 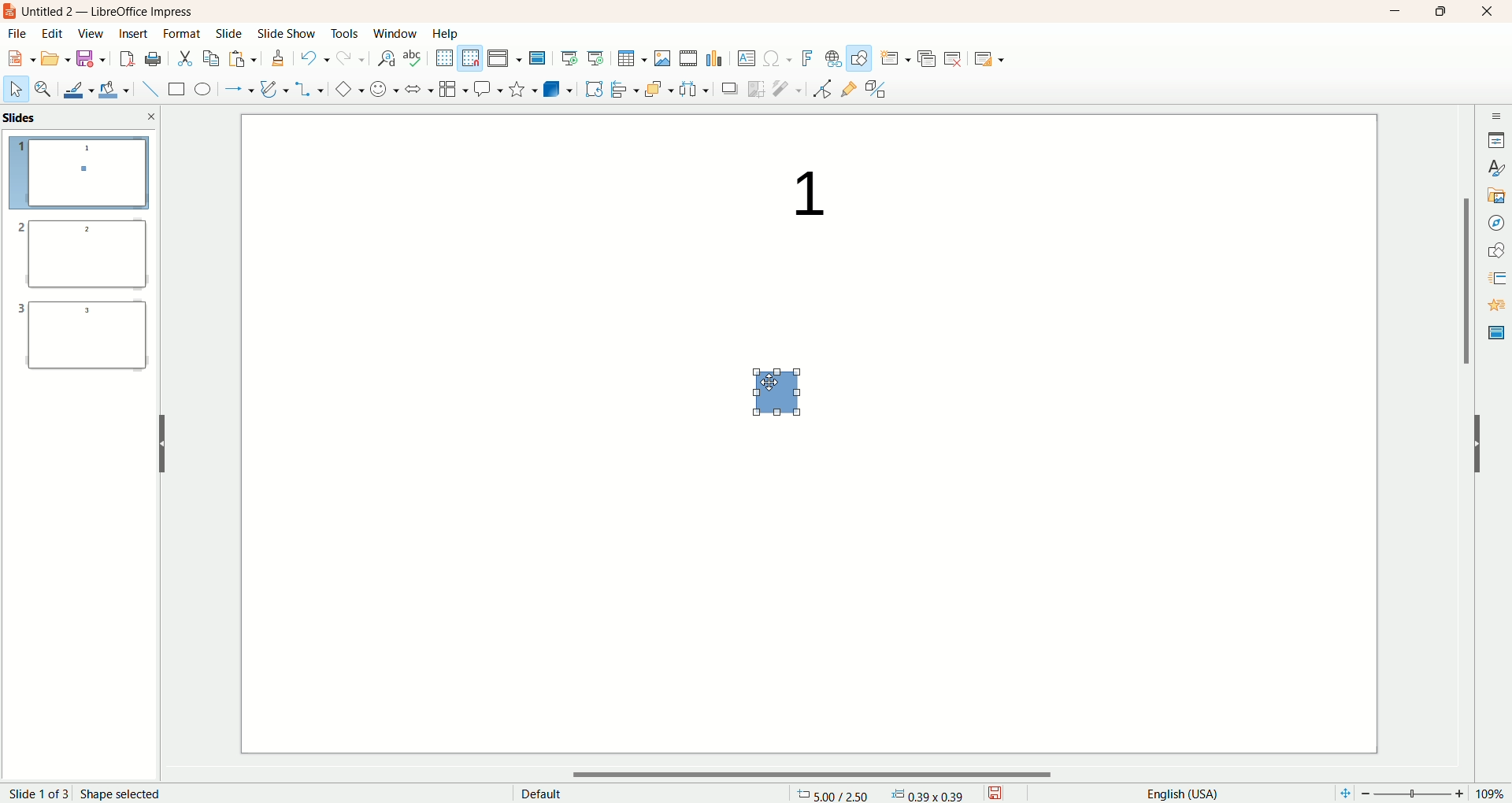 I want to click on save, so click(x=1001, y=791).